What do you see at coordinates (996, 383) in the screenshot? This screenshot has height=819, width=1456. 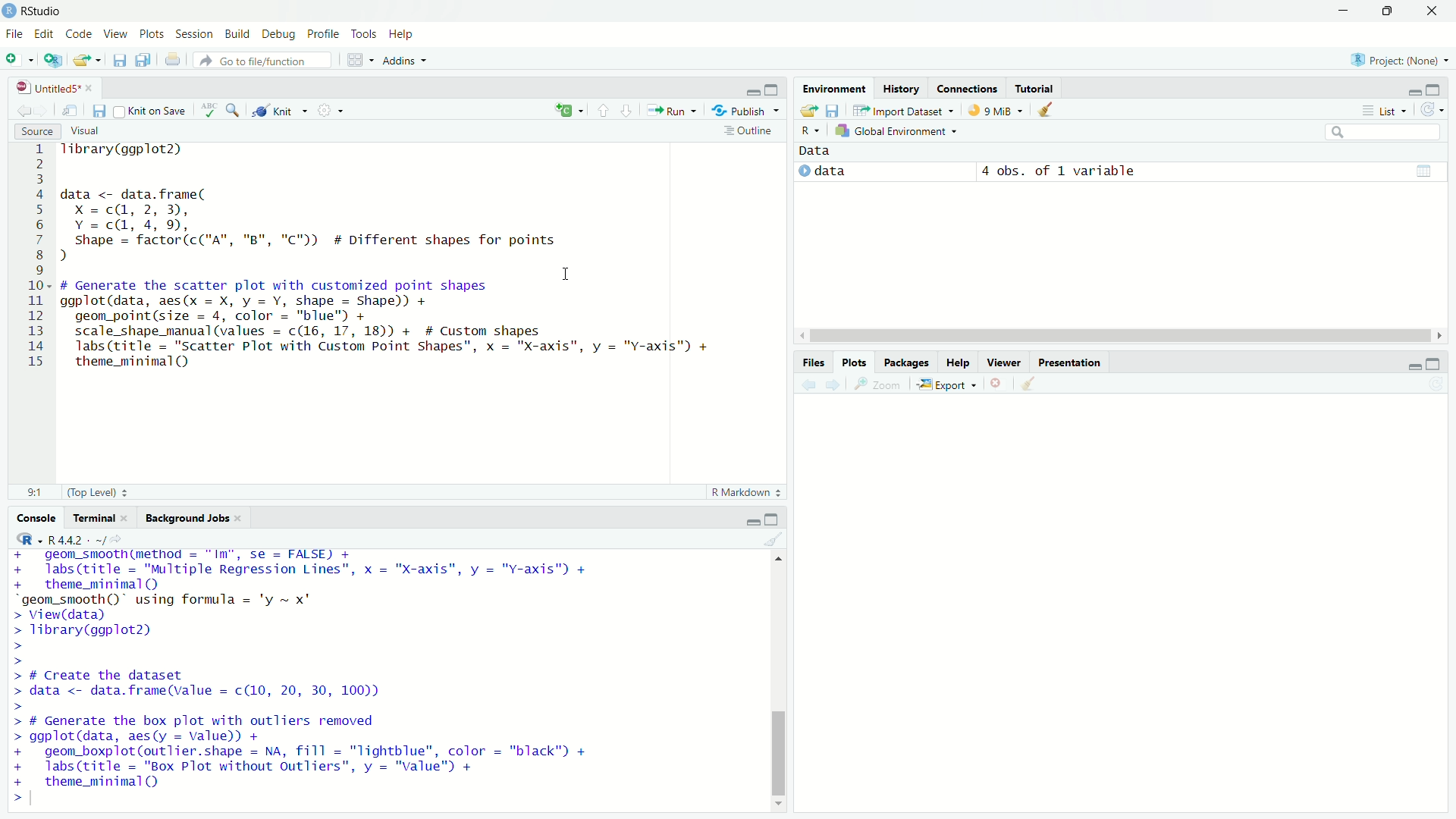 I see `Remove current plot` at bounding box center [996, 383].